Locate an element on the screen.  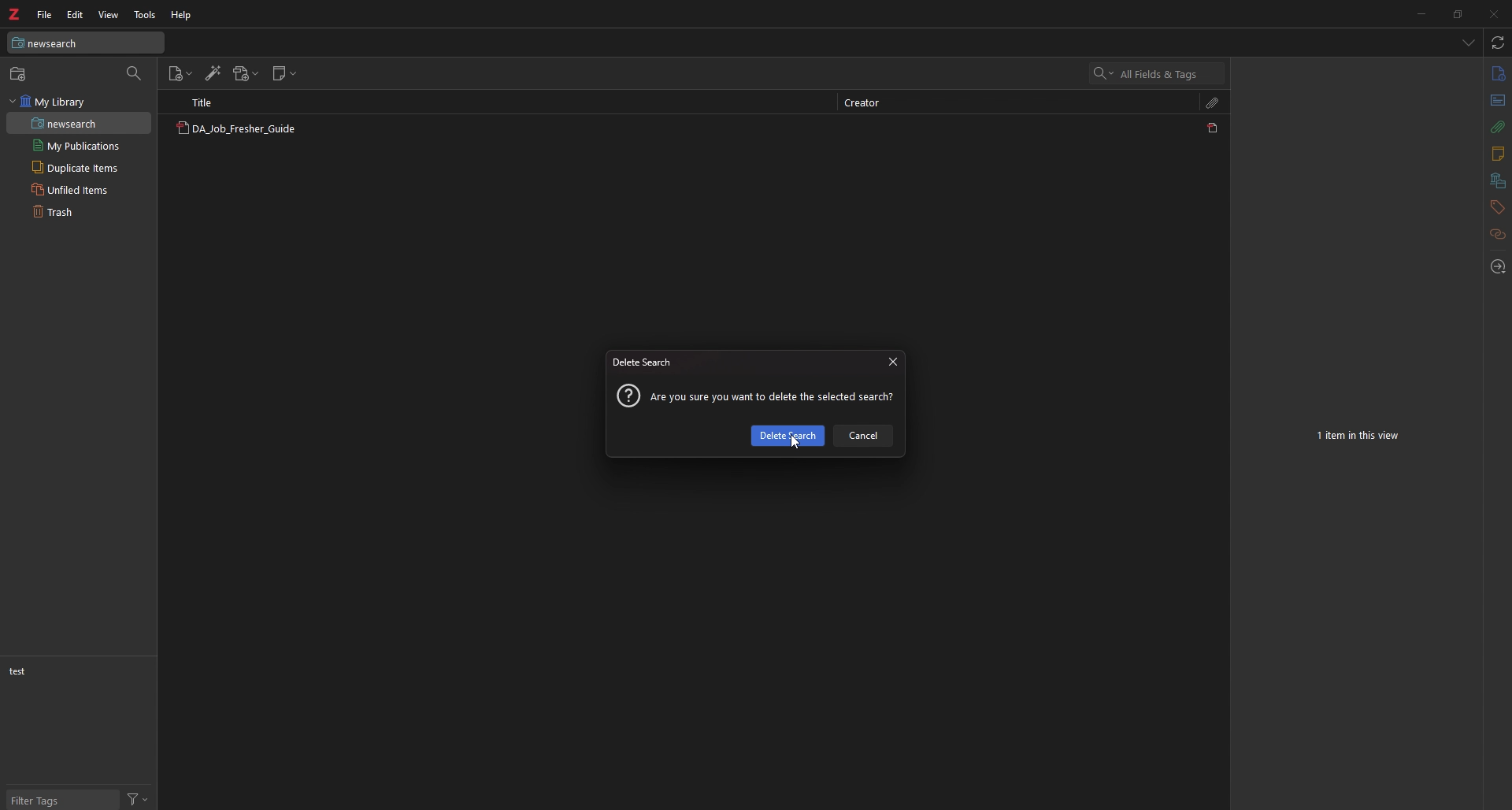
file is located at coordinates (44, 15).